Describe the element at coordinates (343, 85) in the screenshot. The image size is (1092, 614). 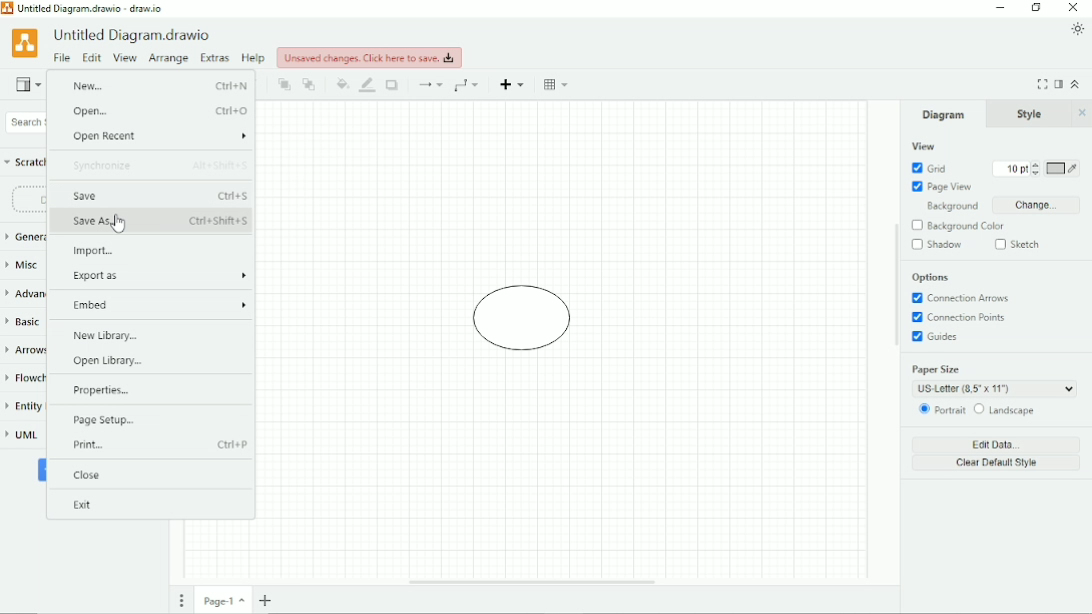
I see `Fill color` at that location.